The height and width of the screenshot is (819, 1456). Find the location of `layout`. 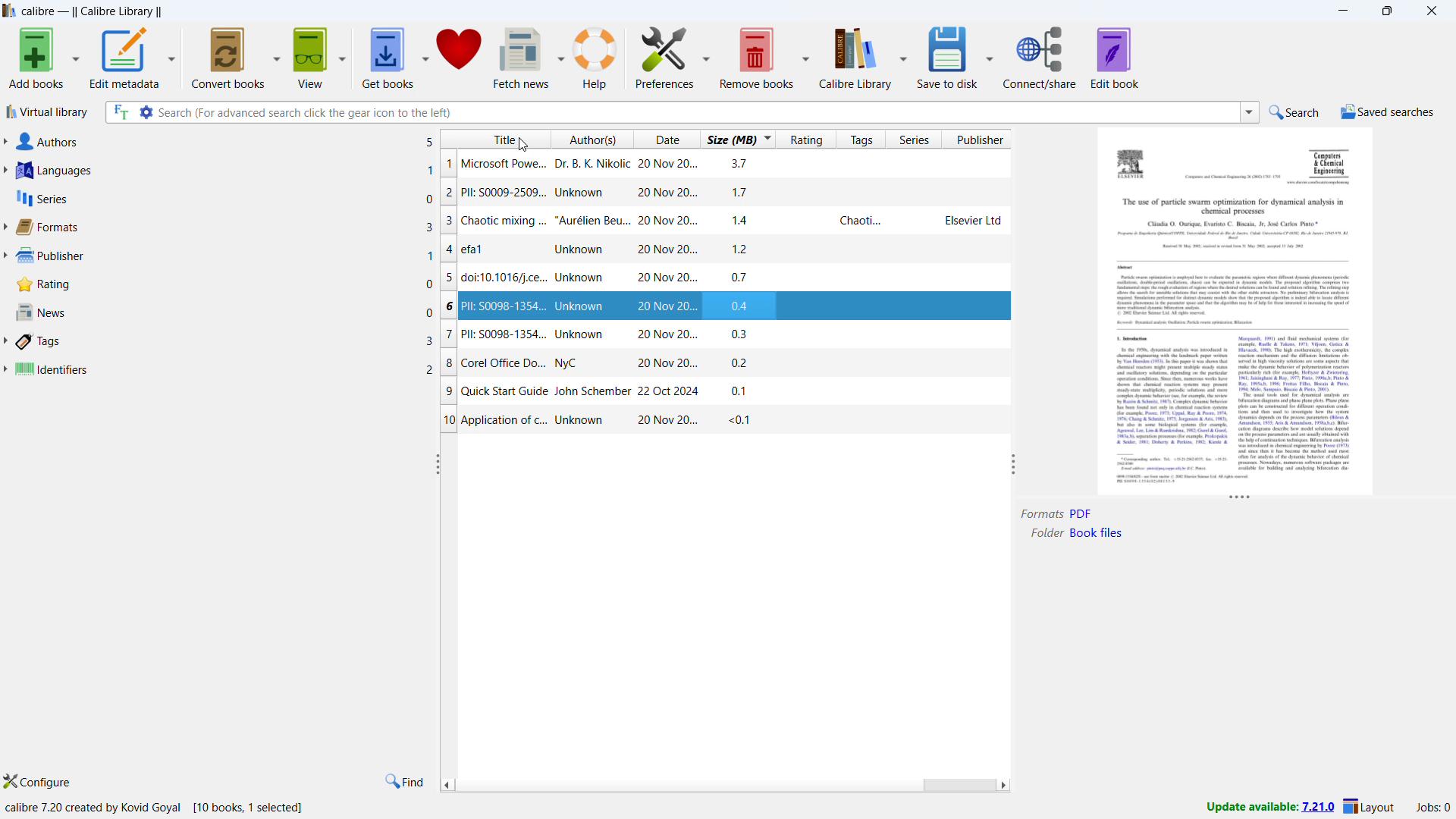

layout is located at coordinates (1371, 807).